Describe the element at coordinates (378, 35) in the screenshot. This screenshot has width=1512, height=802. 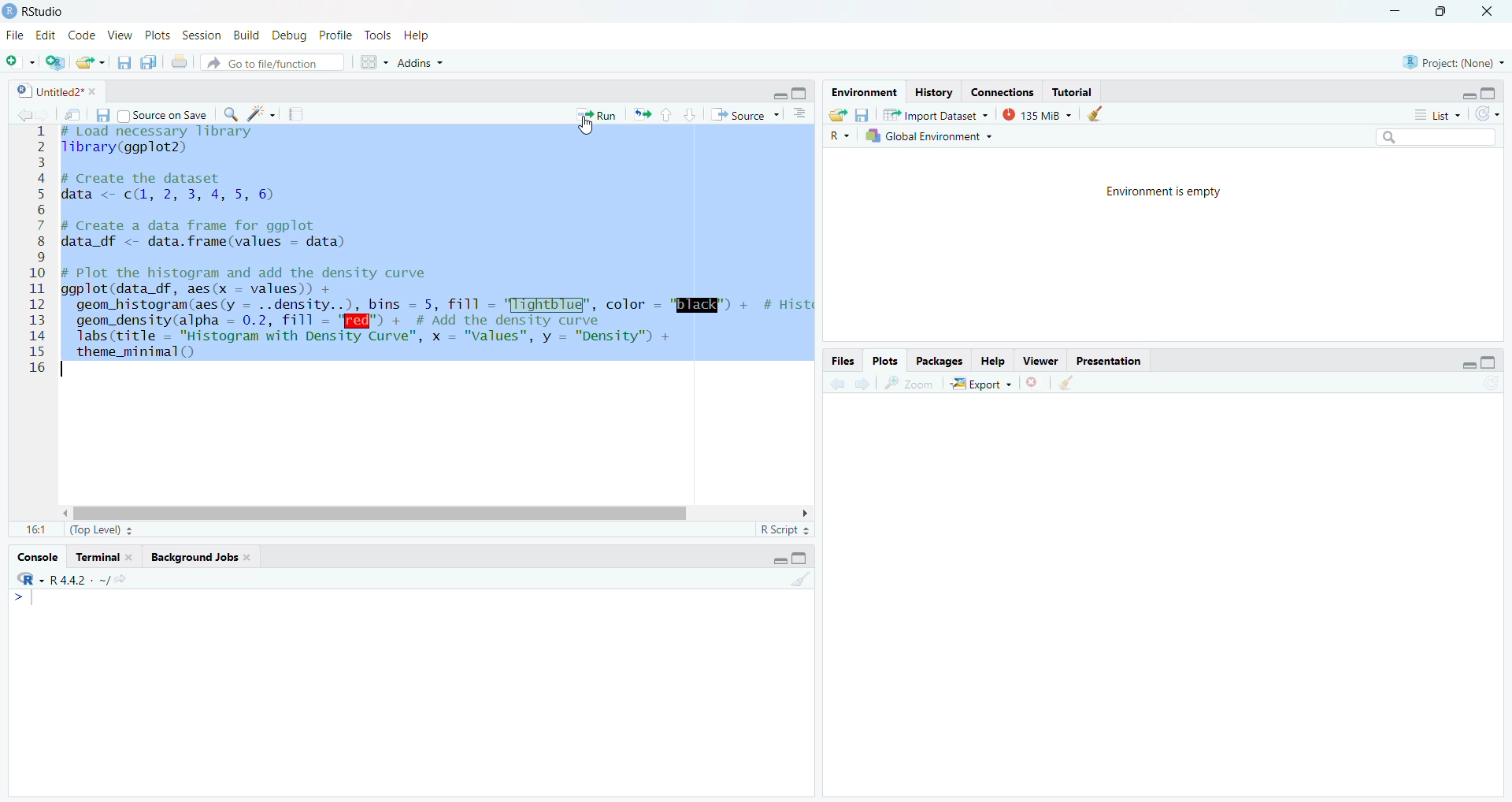
I see `Tools` at that location.